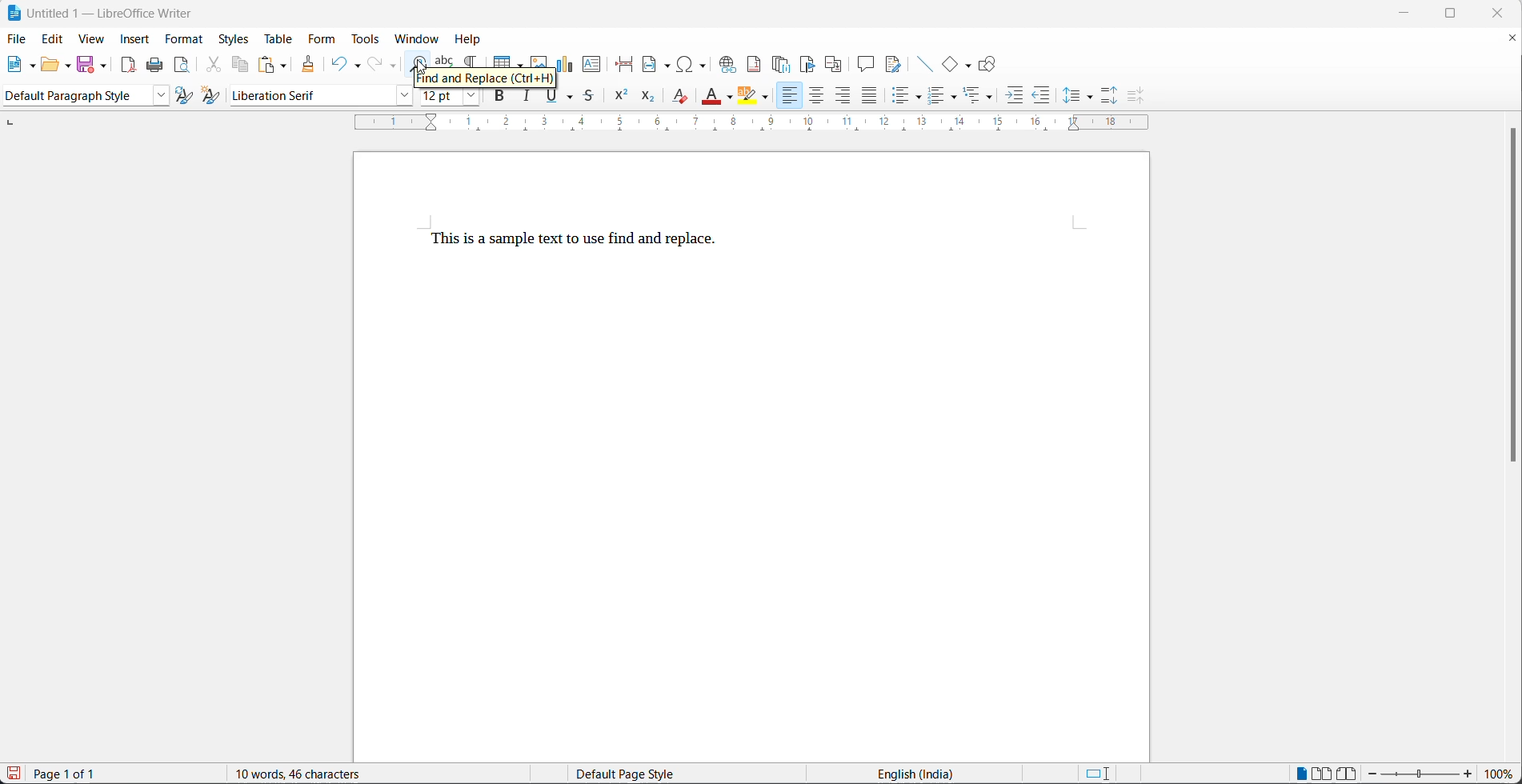  What do you see at coordinates (445, 59) in the screenshot?
I see `spellings` at bounding box center [445, 59].